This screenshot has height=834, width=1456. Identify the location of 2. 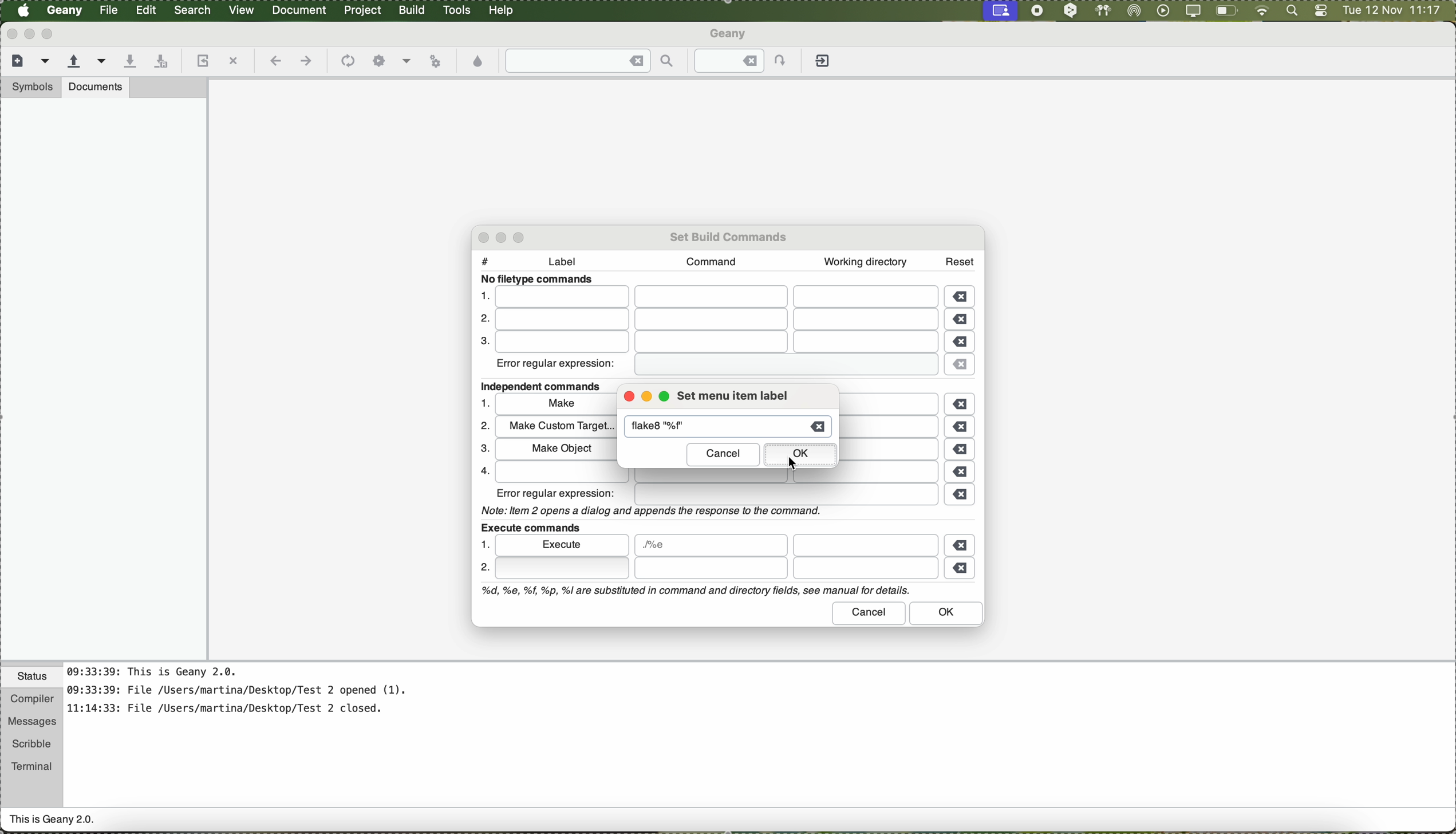
(484, 569).